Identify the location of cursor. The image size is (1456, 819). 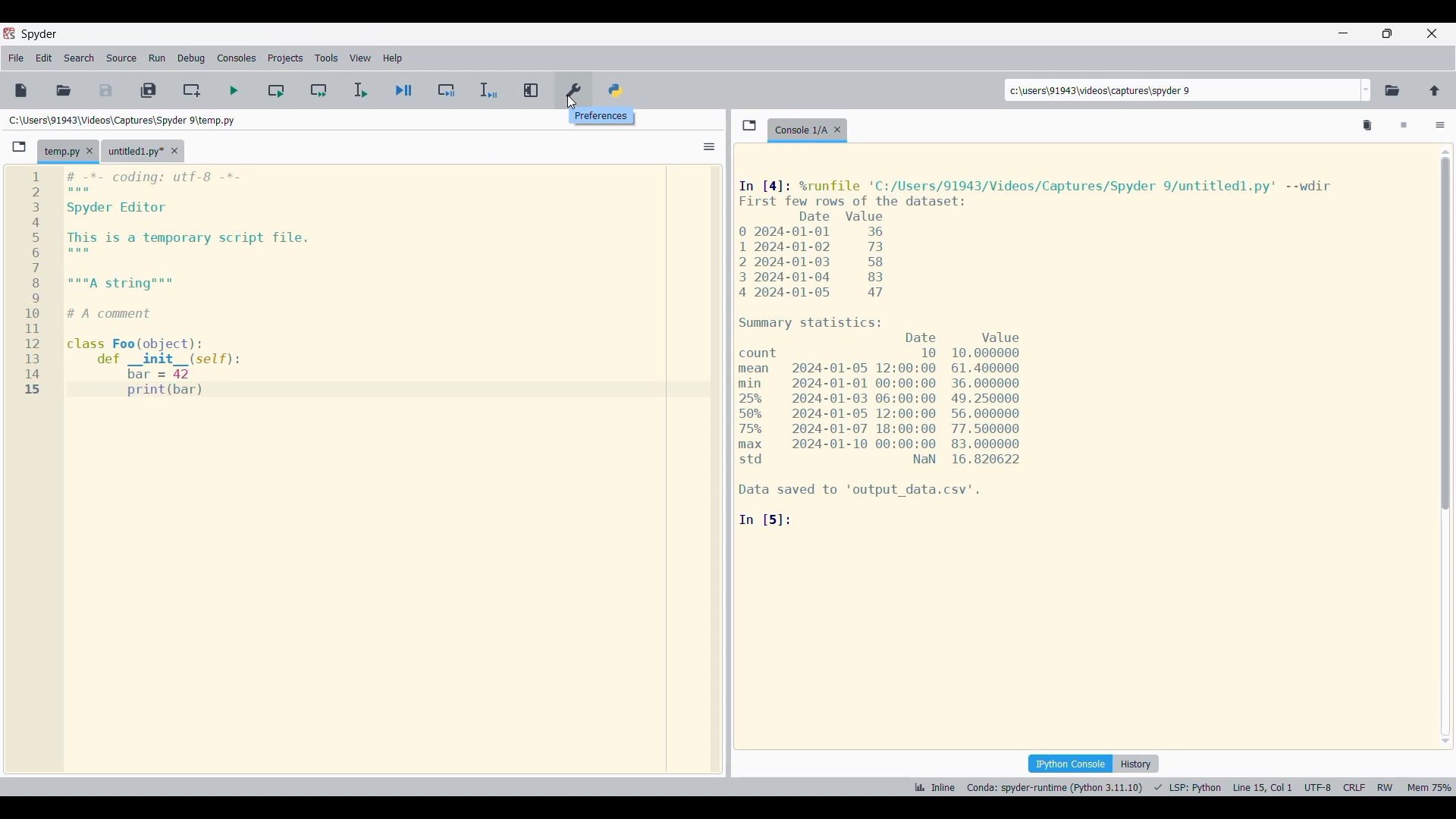
(569, 102).